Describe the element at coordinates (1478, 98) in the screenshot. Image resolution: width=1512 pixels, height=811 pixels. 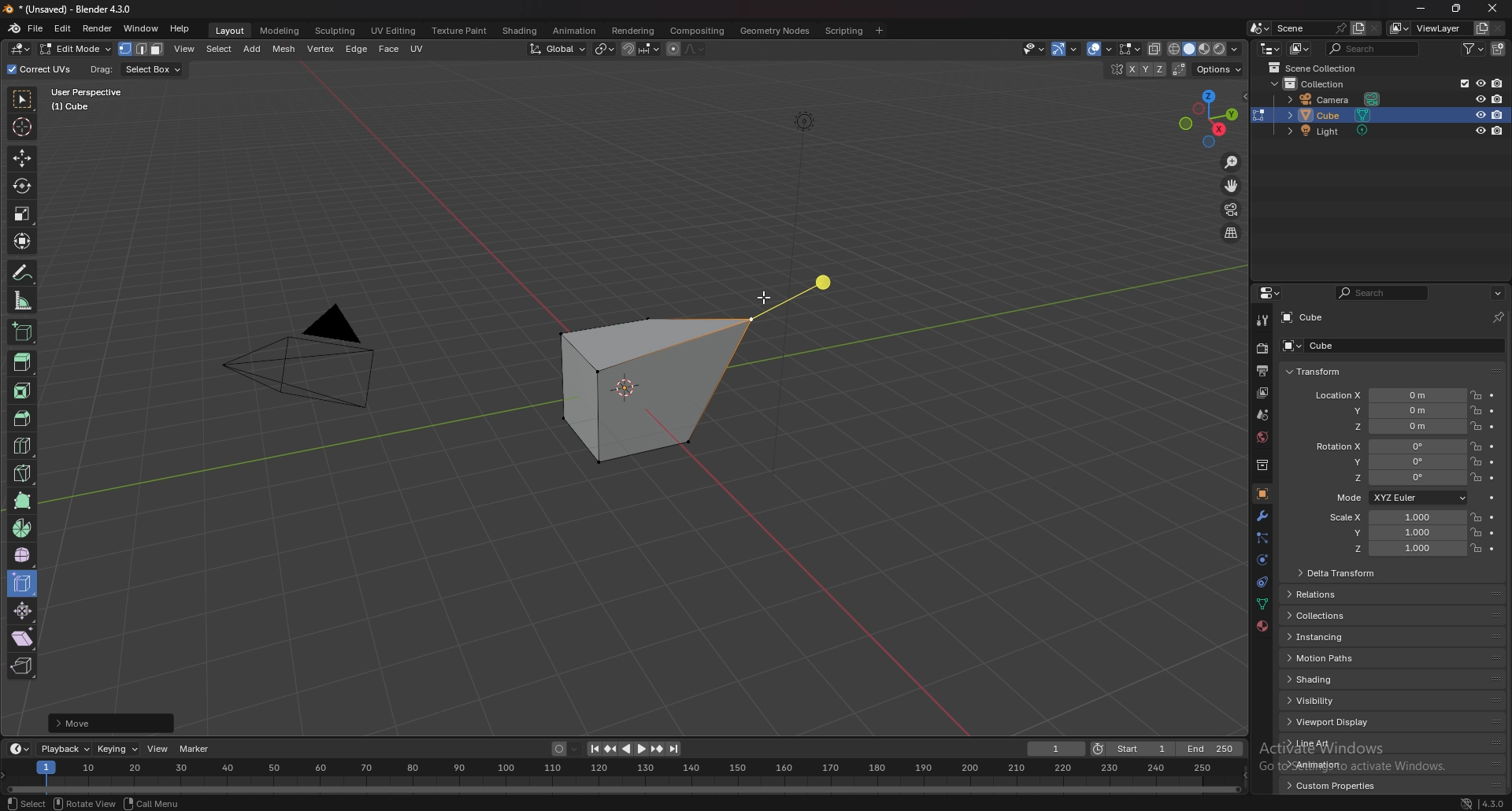
I see `hide in viewport` at that location.